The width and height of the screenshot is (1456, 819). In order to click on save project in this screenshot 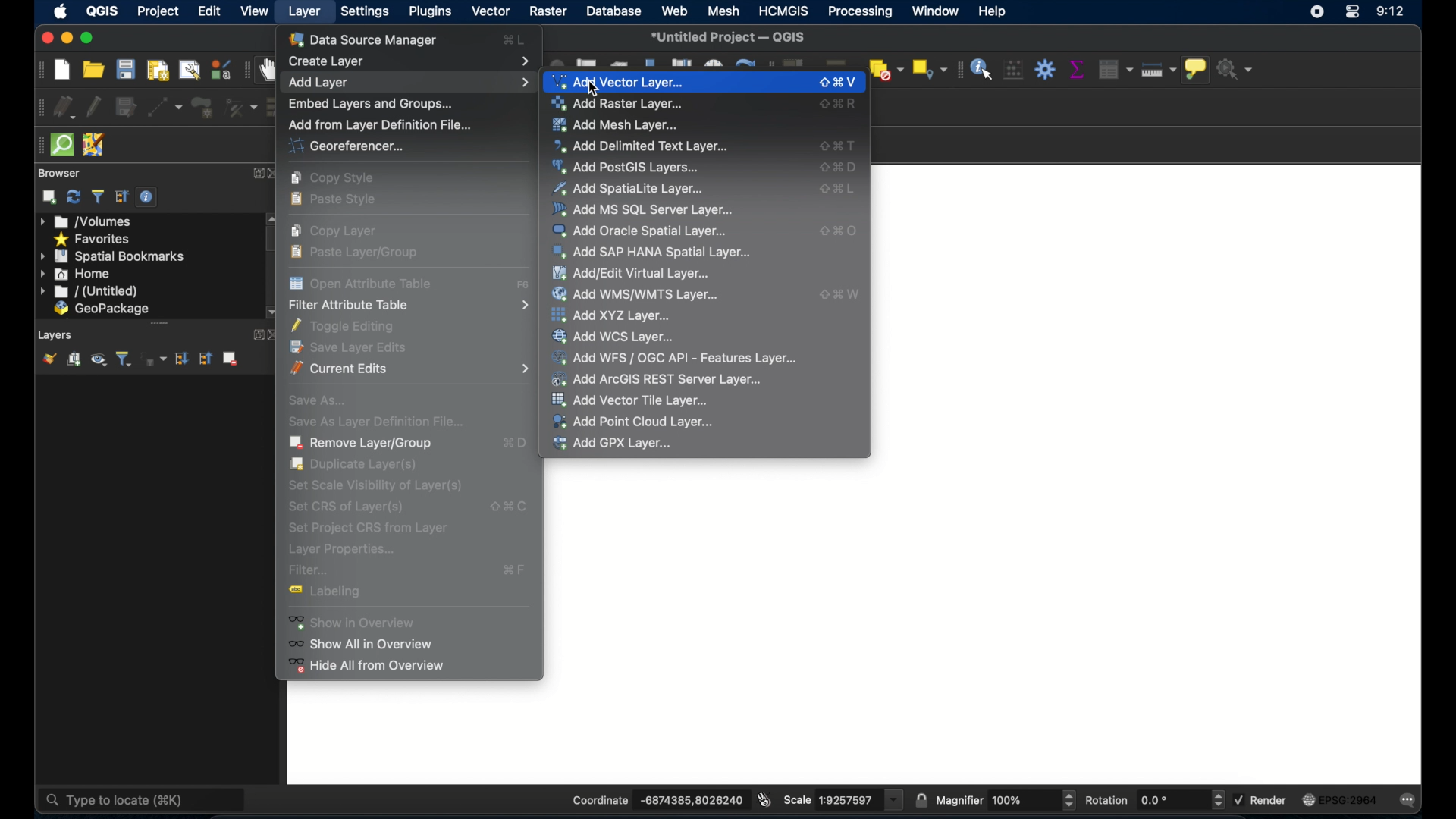, I will do `click(127, 71)`.